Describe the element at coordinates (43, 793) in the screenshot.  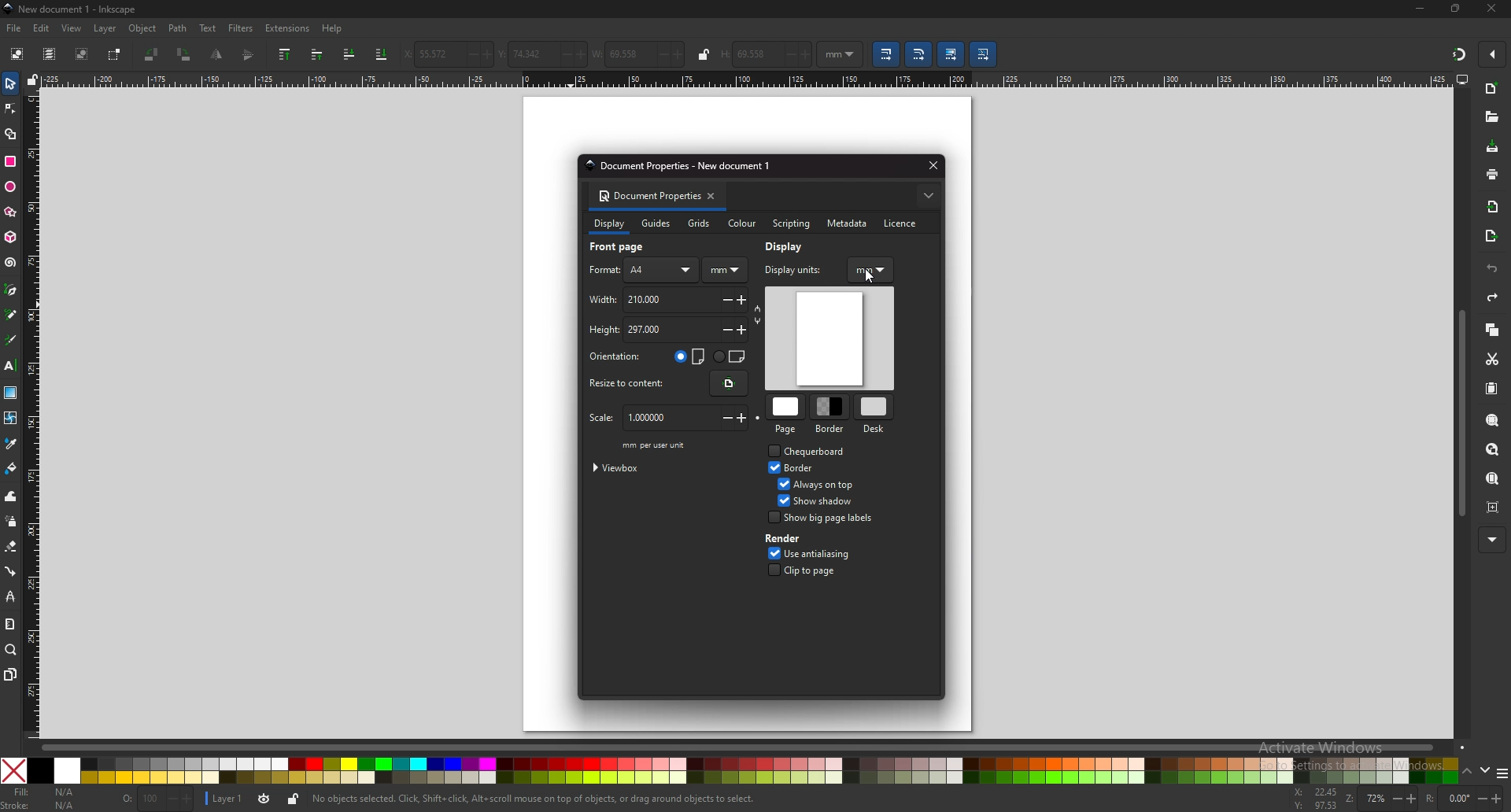
I see `fill` at that location.